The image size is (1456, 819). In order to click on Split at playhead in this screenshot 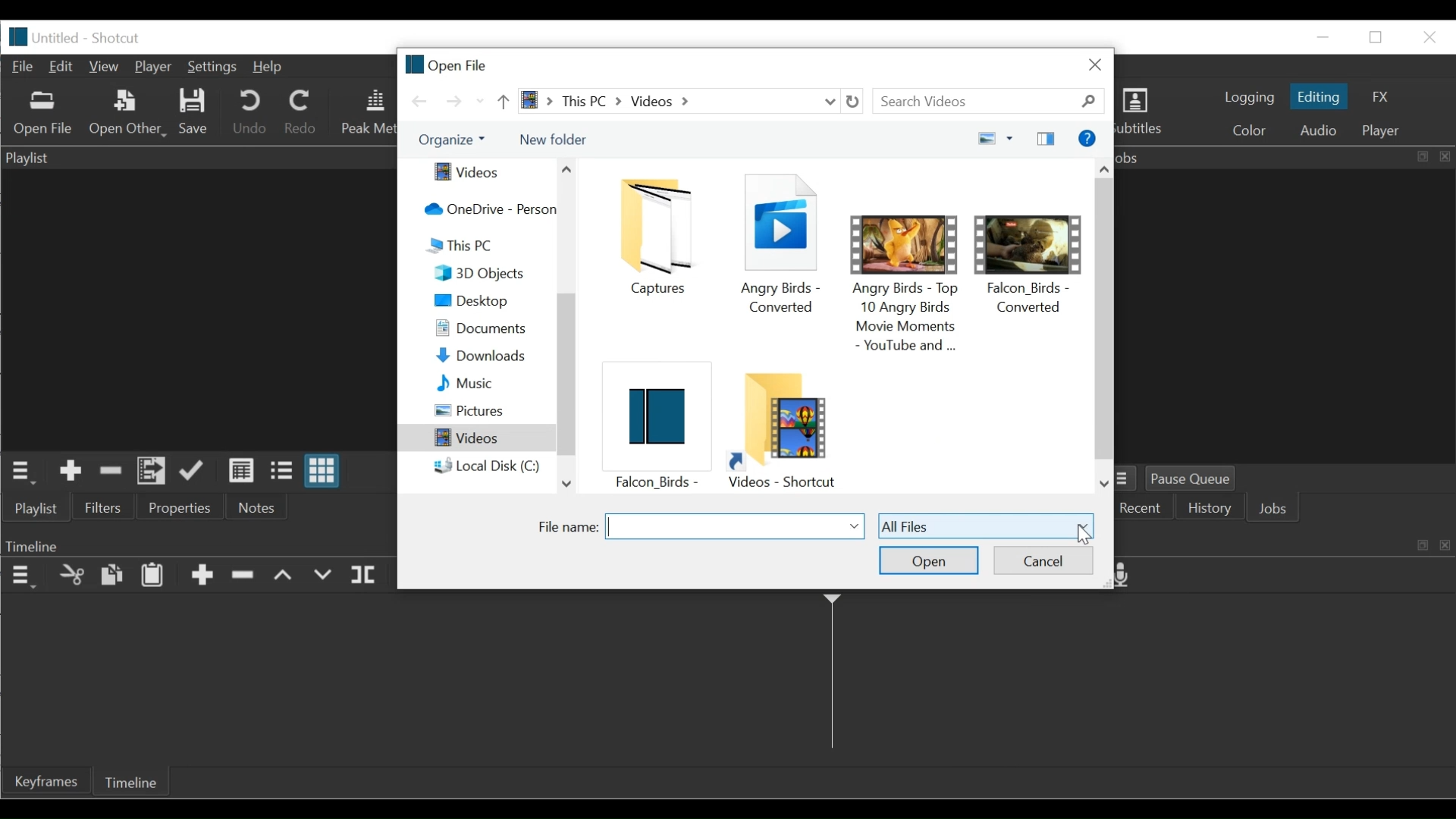, I will do `click(366, 576)`.